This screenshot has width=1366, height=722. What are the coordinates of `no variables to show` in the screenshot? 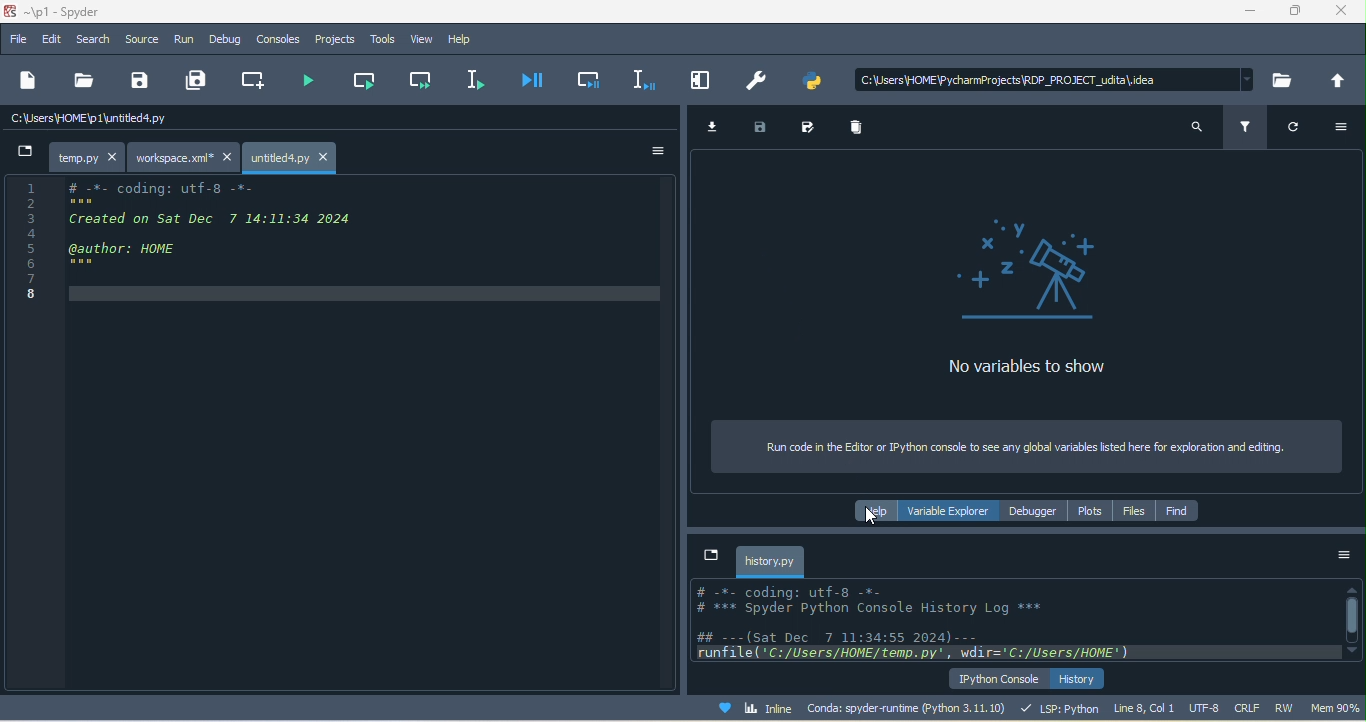 It's located at (1010, 293).